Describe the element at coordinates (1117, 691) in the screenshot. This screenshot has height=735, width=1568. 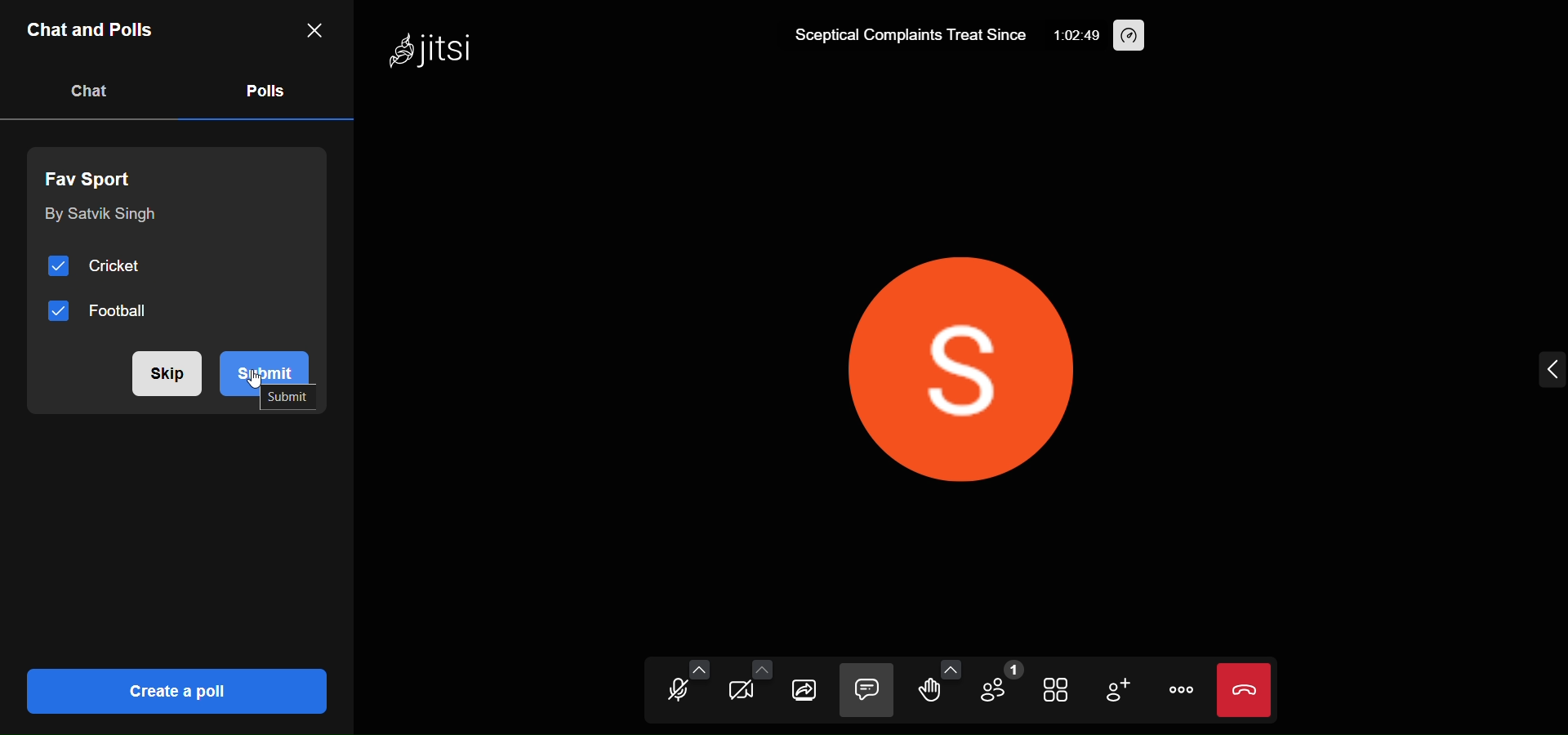
I see `invite people` at that location.